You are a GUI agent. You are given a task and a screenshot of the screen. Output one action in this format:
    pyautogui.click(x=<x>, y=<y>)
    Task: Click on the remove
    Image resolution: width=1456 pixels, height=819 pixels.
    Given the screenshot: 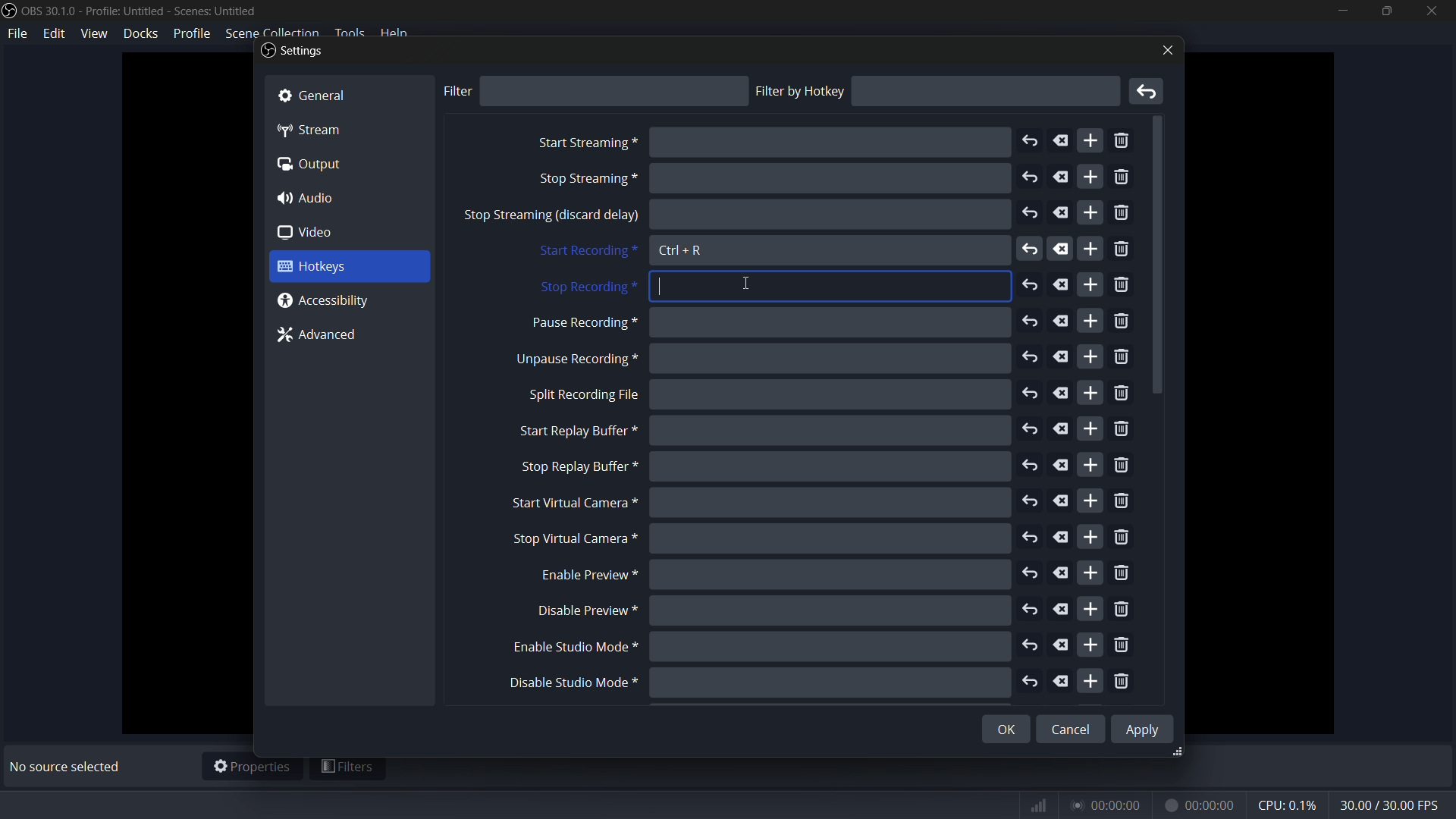 What is the action you would take?
    pyautogui.click(x=1123, y=214)
    